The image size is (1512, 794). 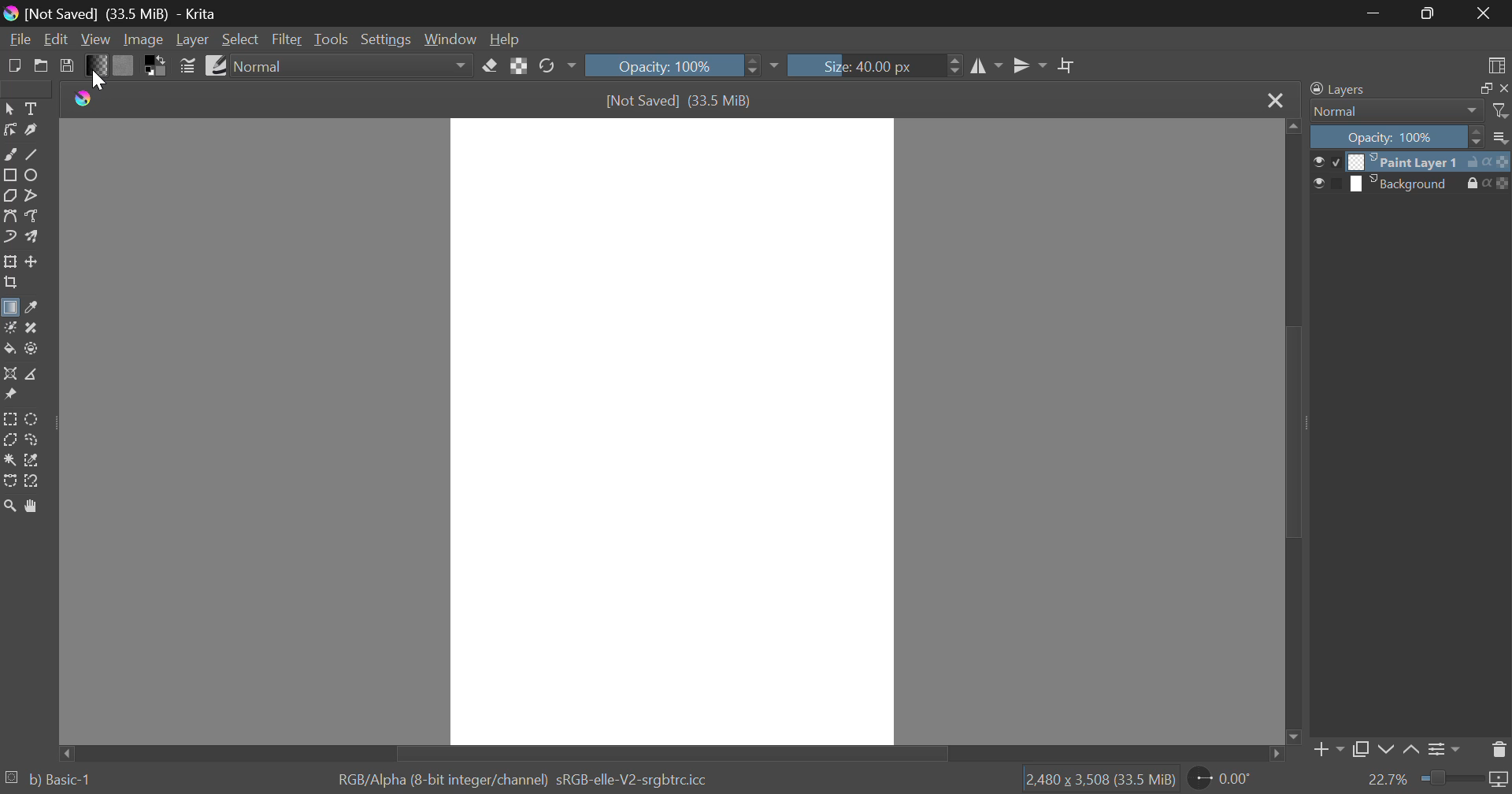 I want to click on Opacity 100%, so click(x=1395, y=137).